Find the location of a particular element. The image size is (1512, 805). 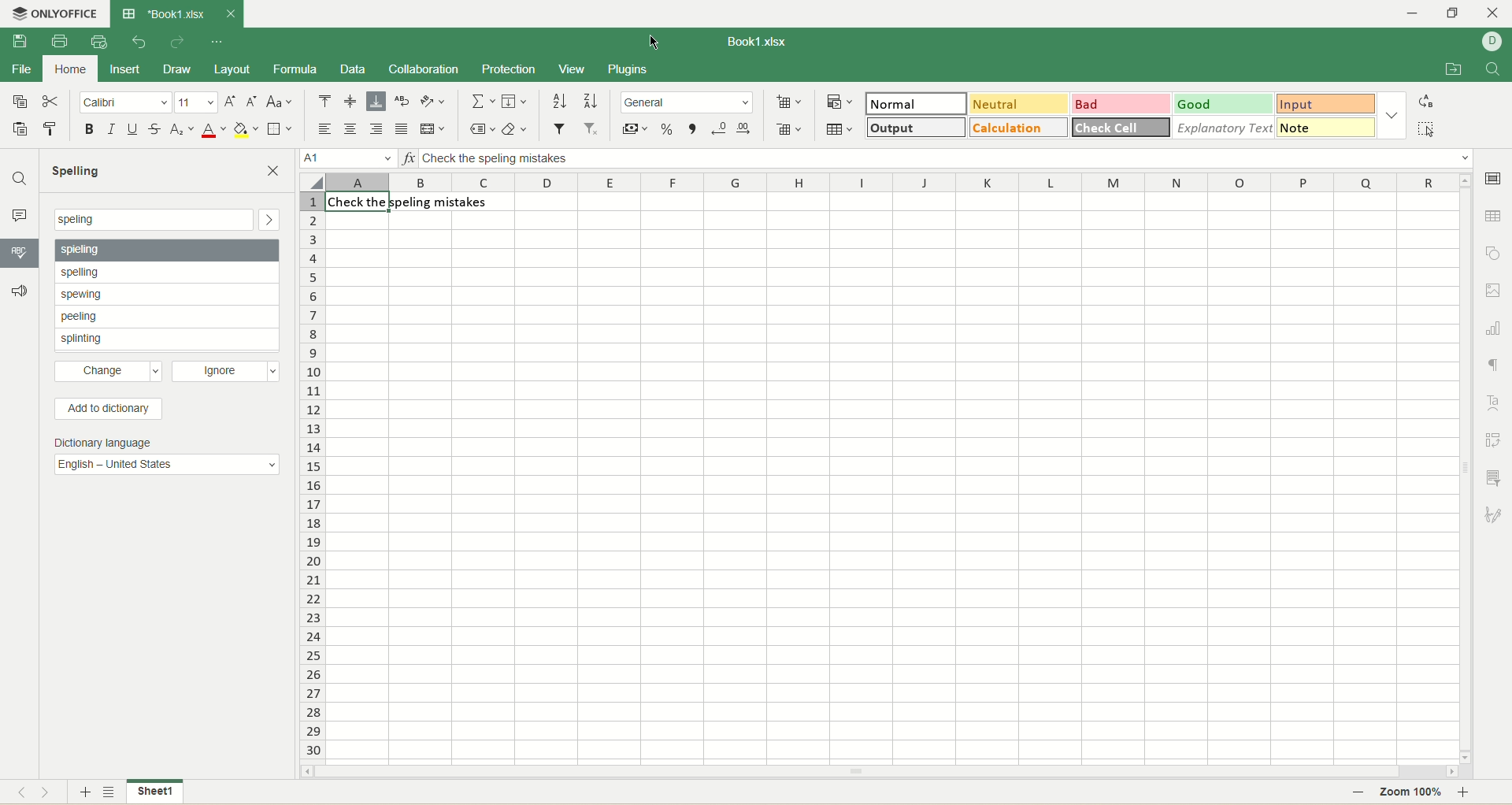

percent style is located at coordinates (668, 130).